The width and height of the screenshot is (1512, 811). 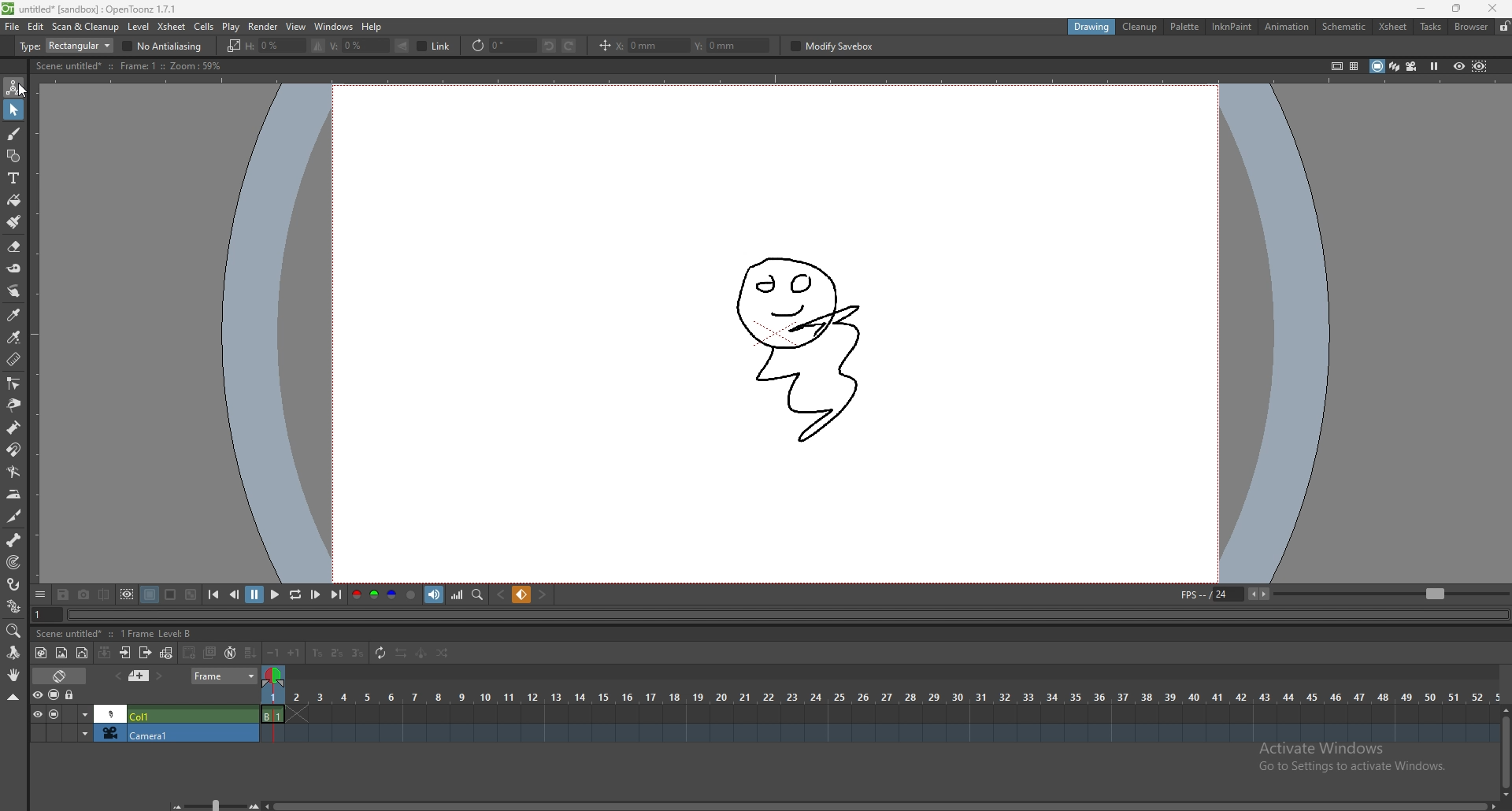 What do you see at coordinates (458, 595) in the screenshot?
I see `histogram` at bounding box center [458, 595].